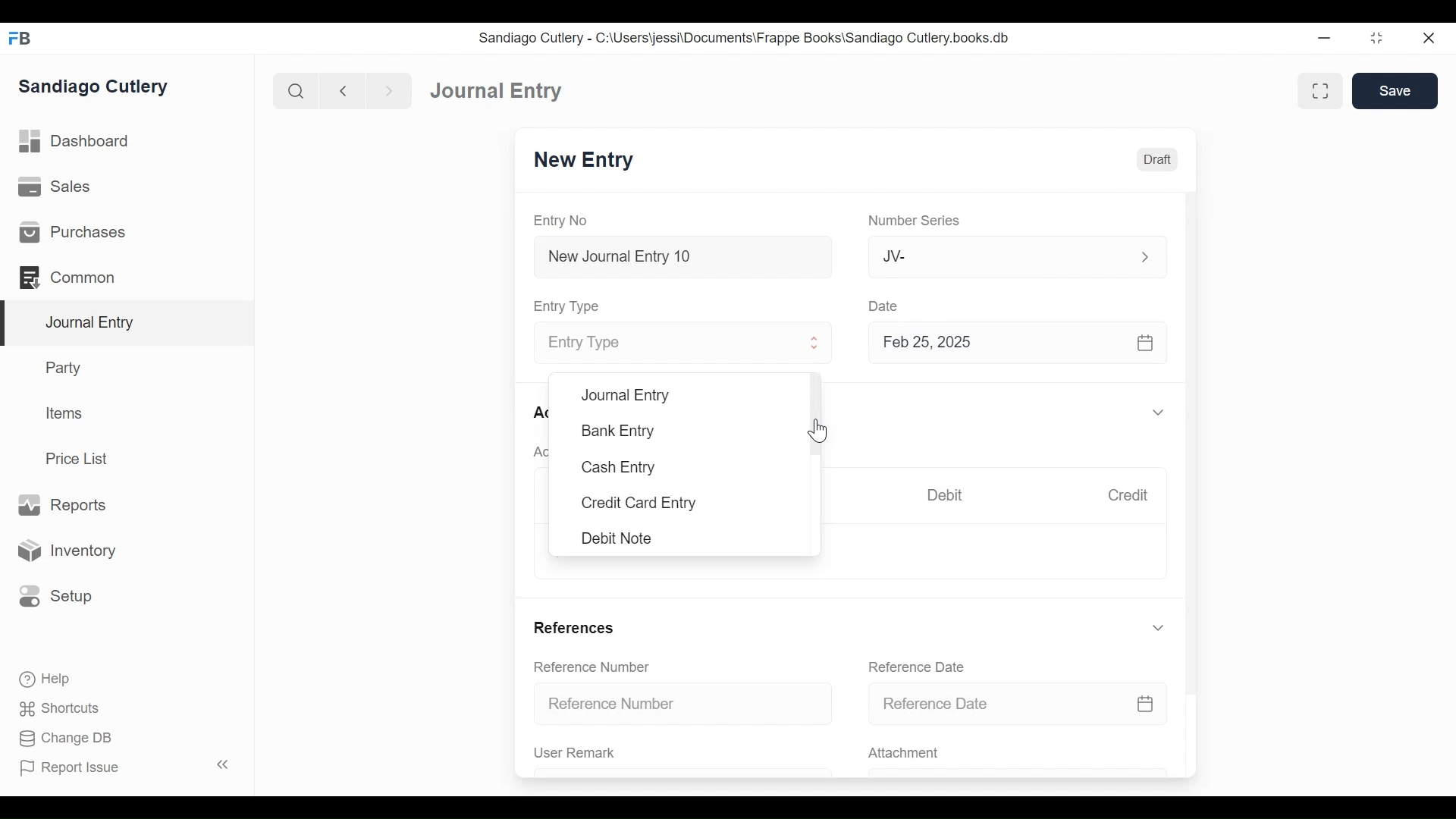 The width and height of the screenshot is (1456, 819). Describe the element at coordinates (575, 753) in the screenshot. I see `User Remark` at that location.